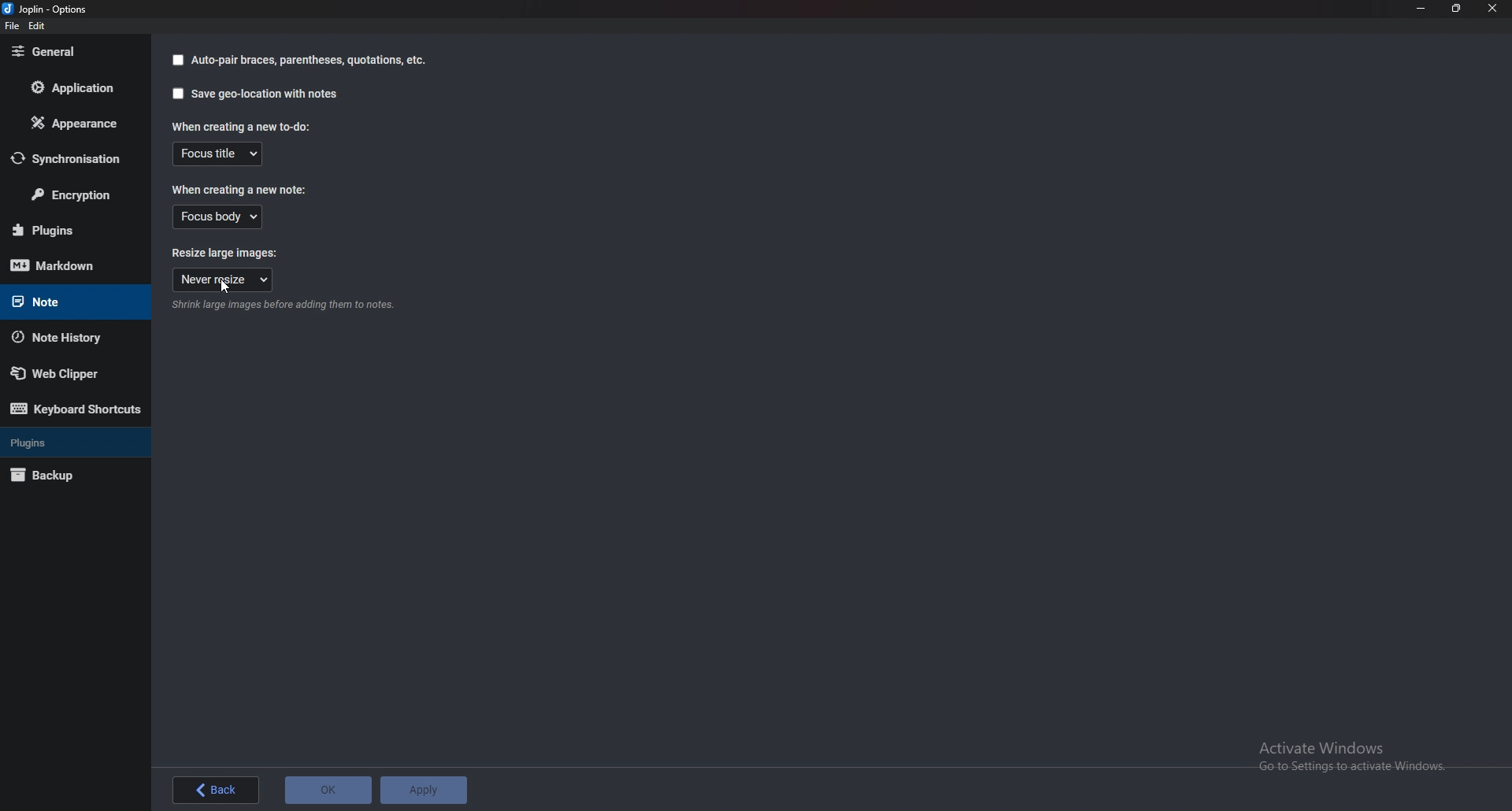 The image size is (1512, 811). What do you see at coordinates (37, 26) in the screenshot?
I see `Edit` at bounding box center [37, 26].